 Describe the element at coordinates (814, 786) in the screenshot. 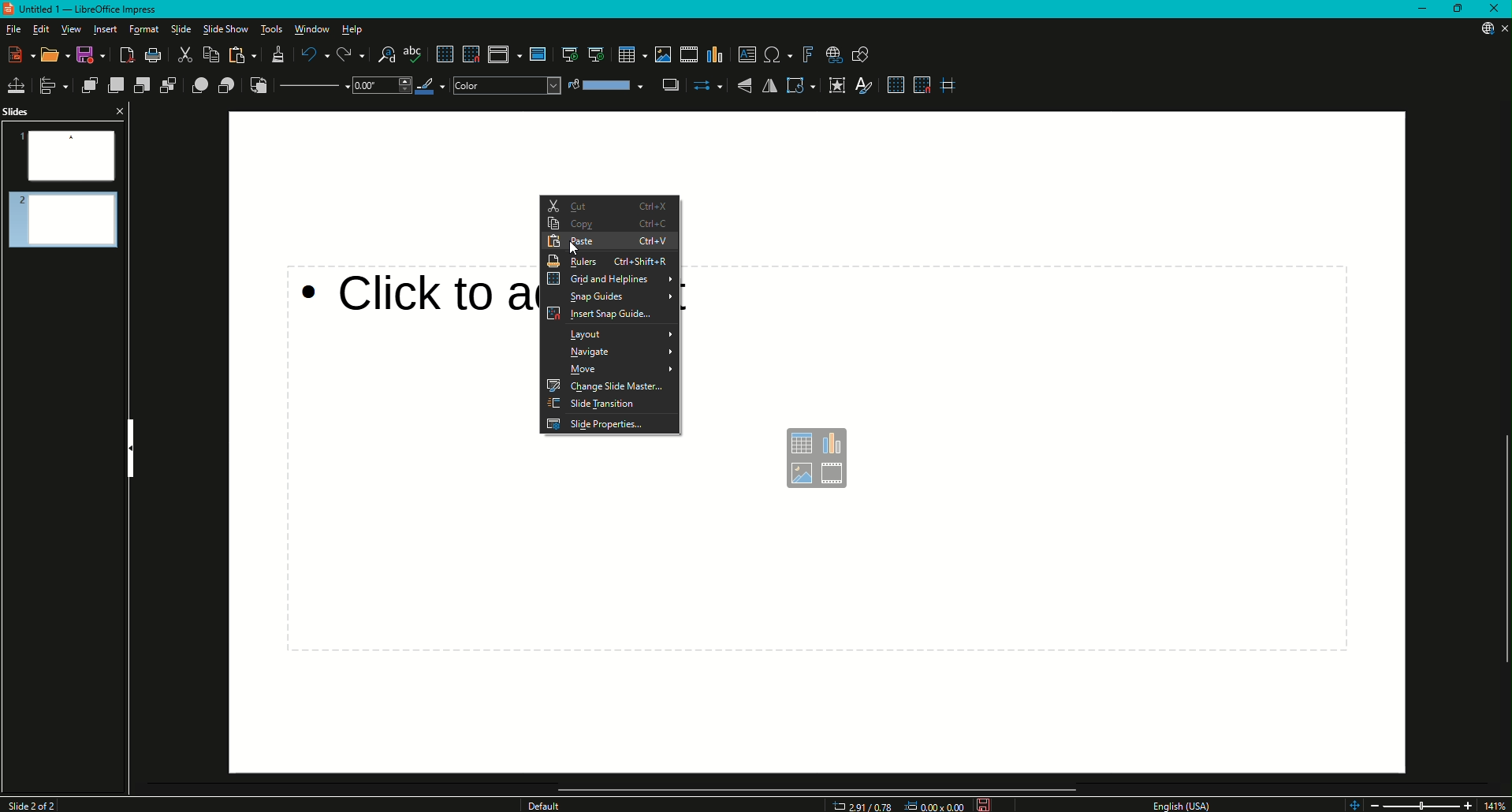

I see `Scroll` at that location.